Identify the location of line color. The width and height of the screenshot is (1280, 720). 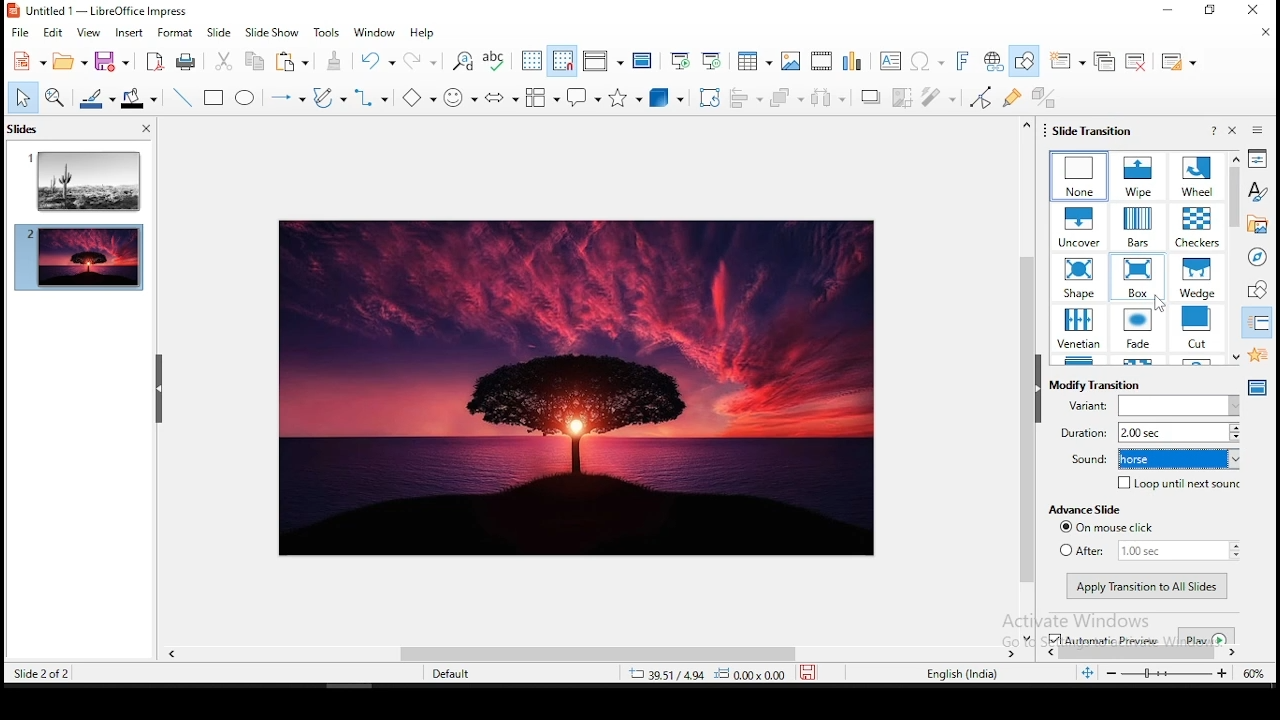
(96, 98).